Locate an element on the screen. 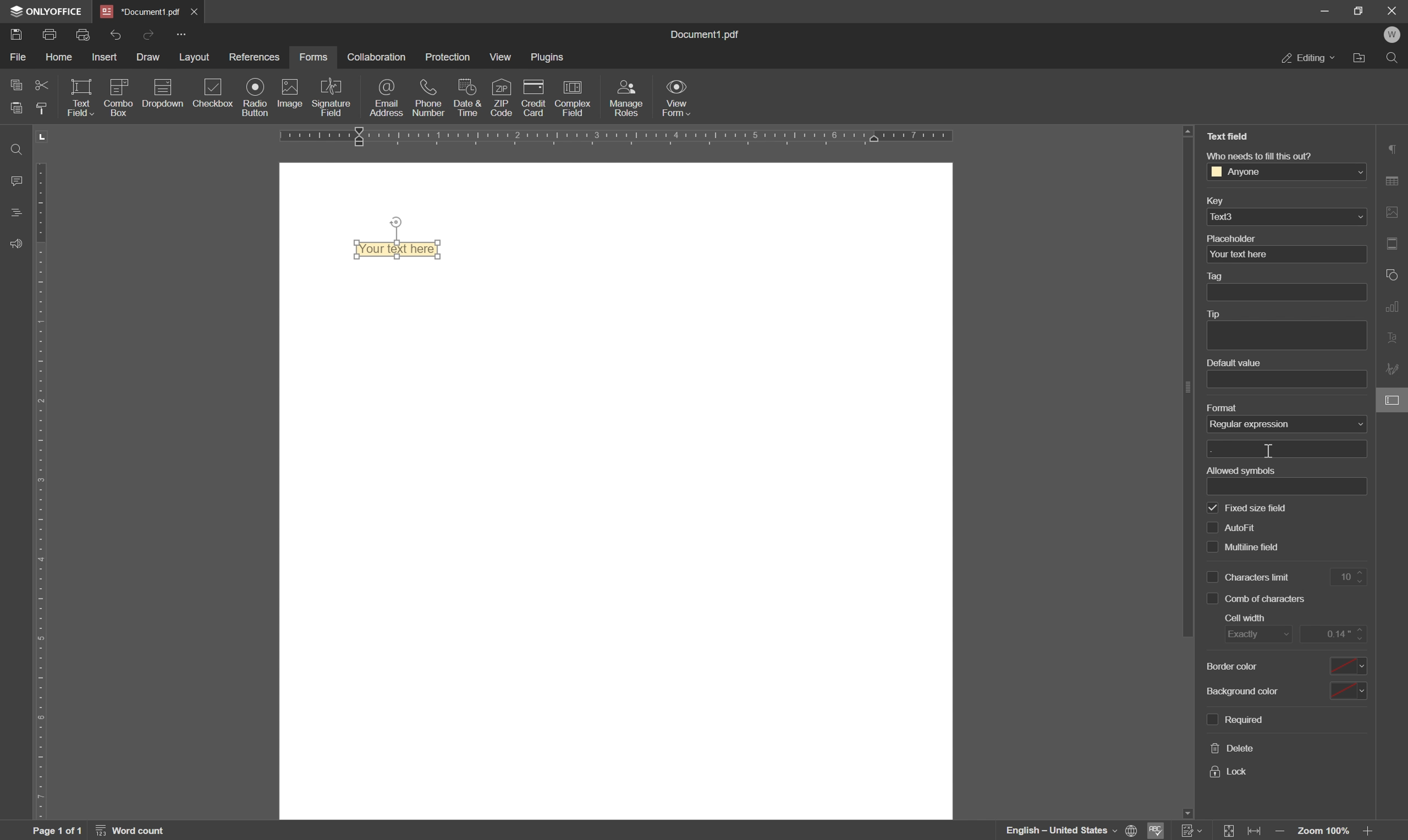  zip code is located at coordinates (502, 97).